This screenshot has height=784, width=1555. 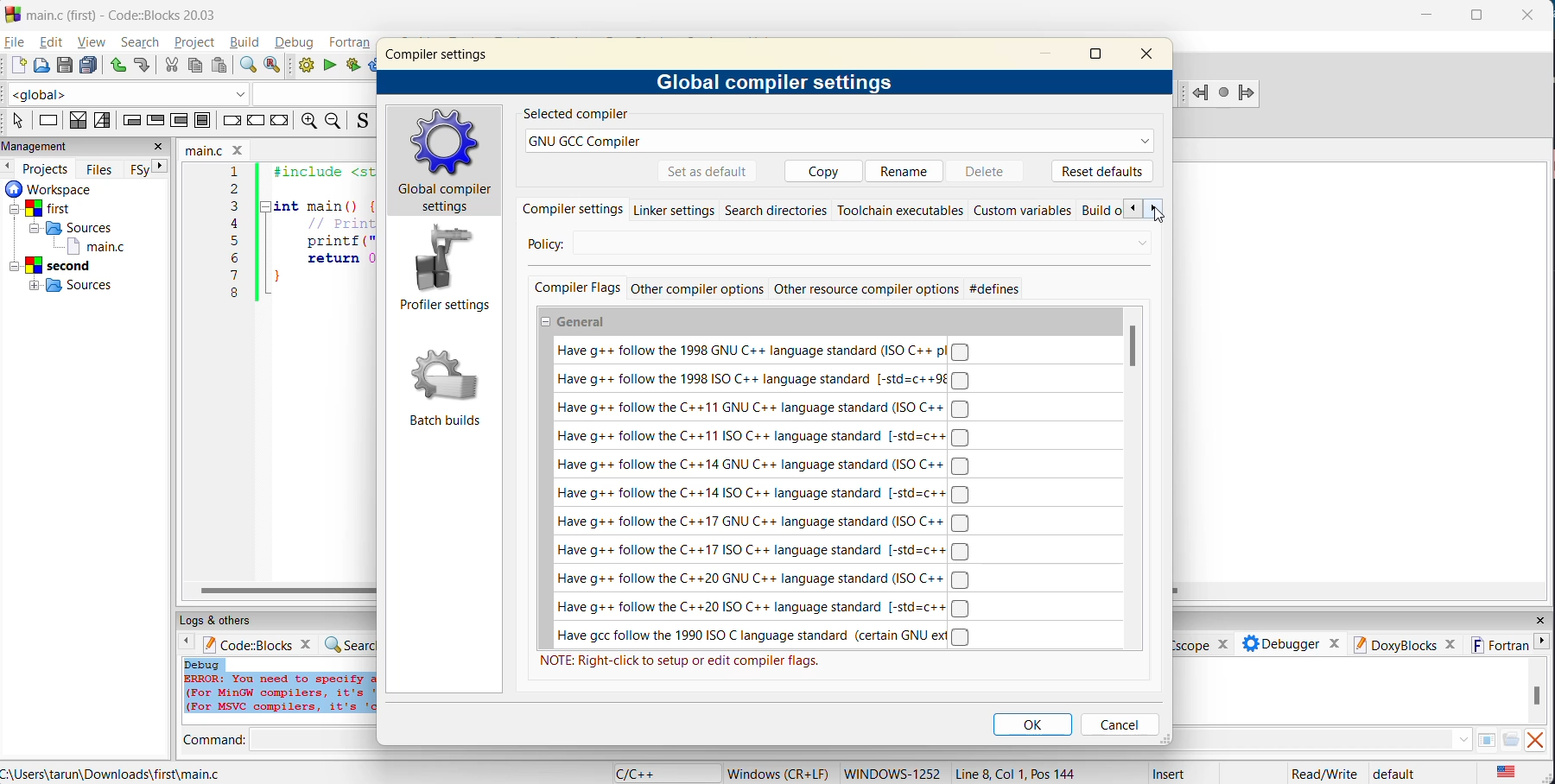 What do you see at coordinates (1002, 289) in the screenshot?
I see `#defines` at bounding box center [1002, 289].